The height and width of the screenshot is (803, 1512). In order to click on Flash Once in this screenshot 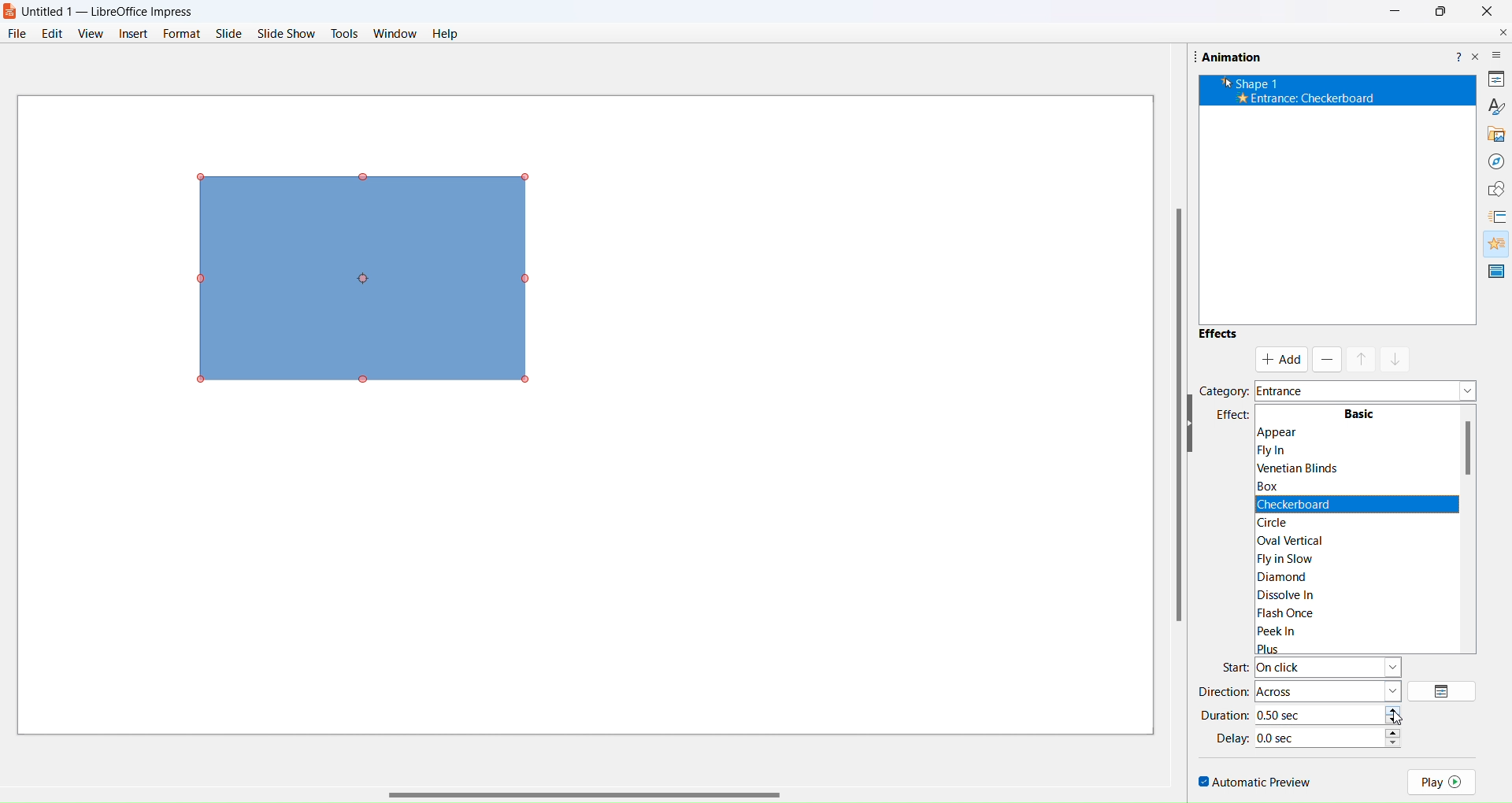, I will do `click(1298, 613)`.